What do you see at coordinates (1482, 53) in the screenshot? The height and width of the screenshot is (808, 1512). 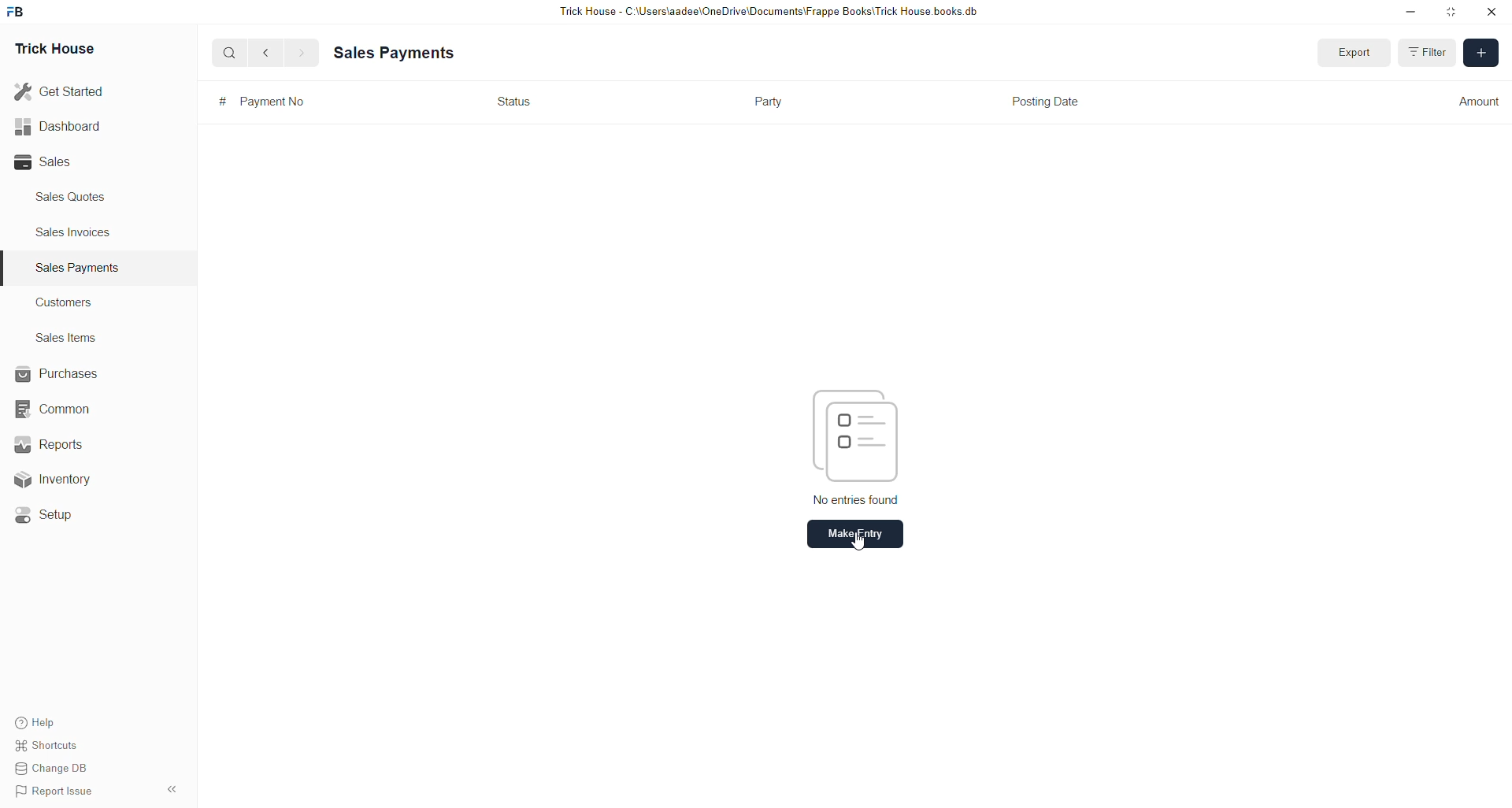 I see `Add Invoice` at bounding box center [1482, 53].